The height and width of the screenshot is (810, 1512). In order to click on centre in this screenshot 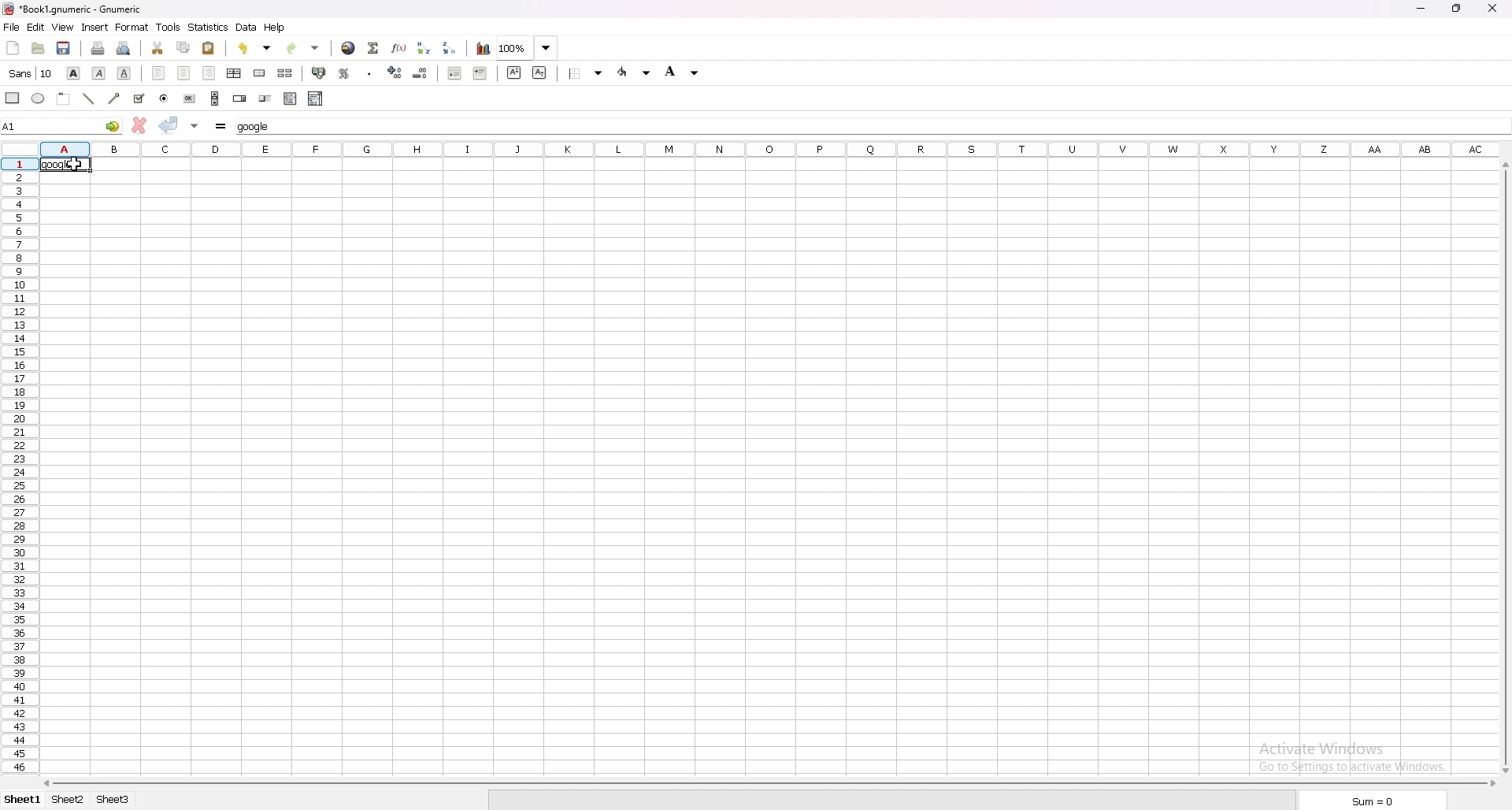, I will do `click(183, 72)`.